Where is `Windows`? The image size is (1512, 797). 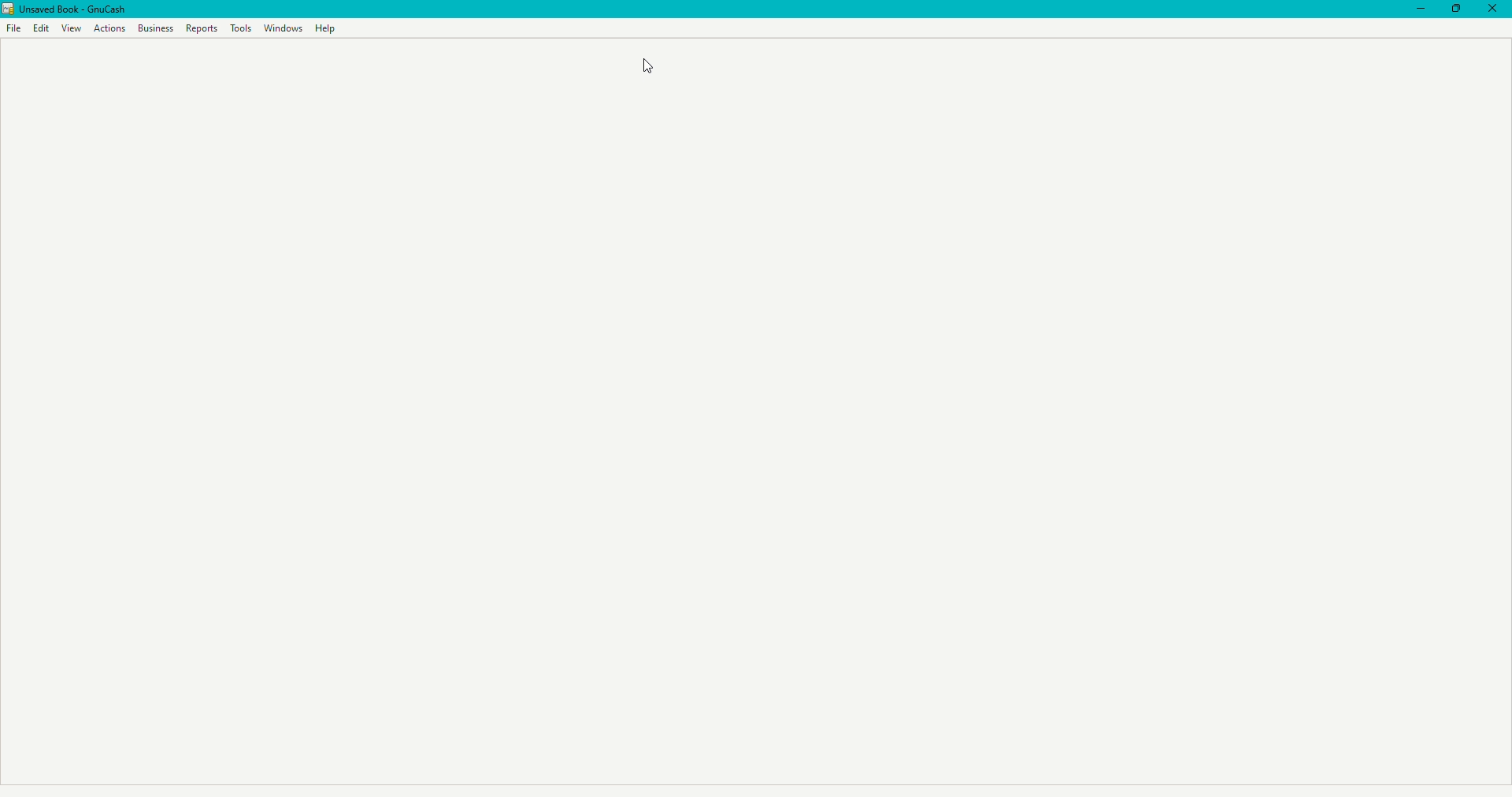 Windows is located at coordinates (283, 28).